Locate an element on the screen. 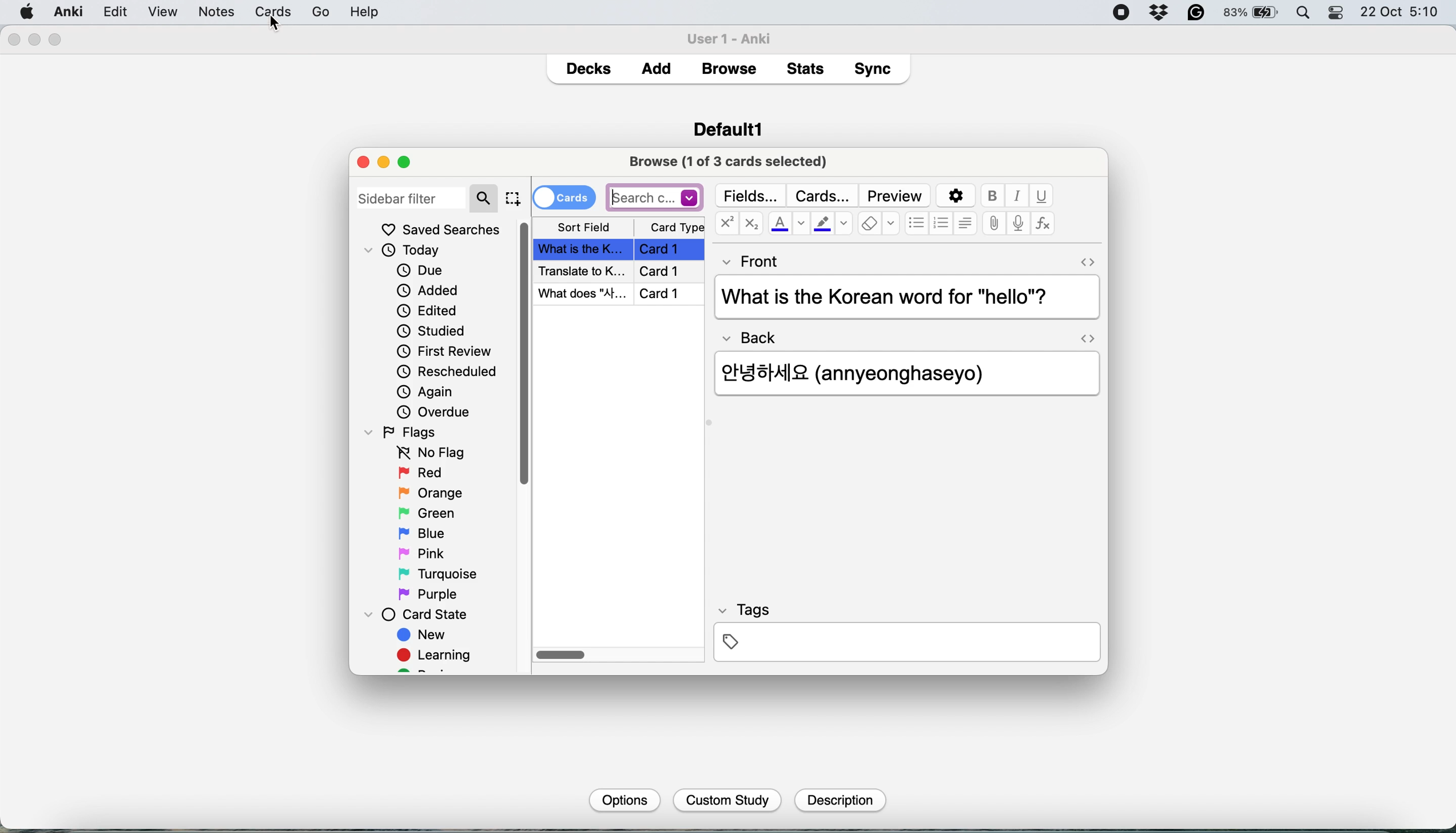 The height and width of the screenshot is (833, 1456). attachment is located at coordinates (994, 224).